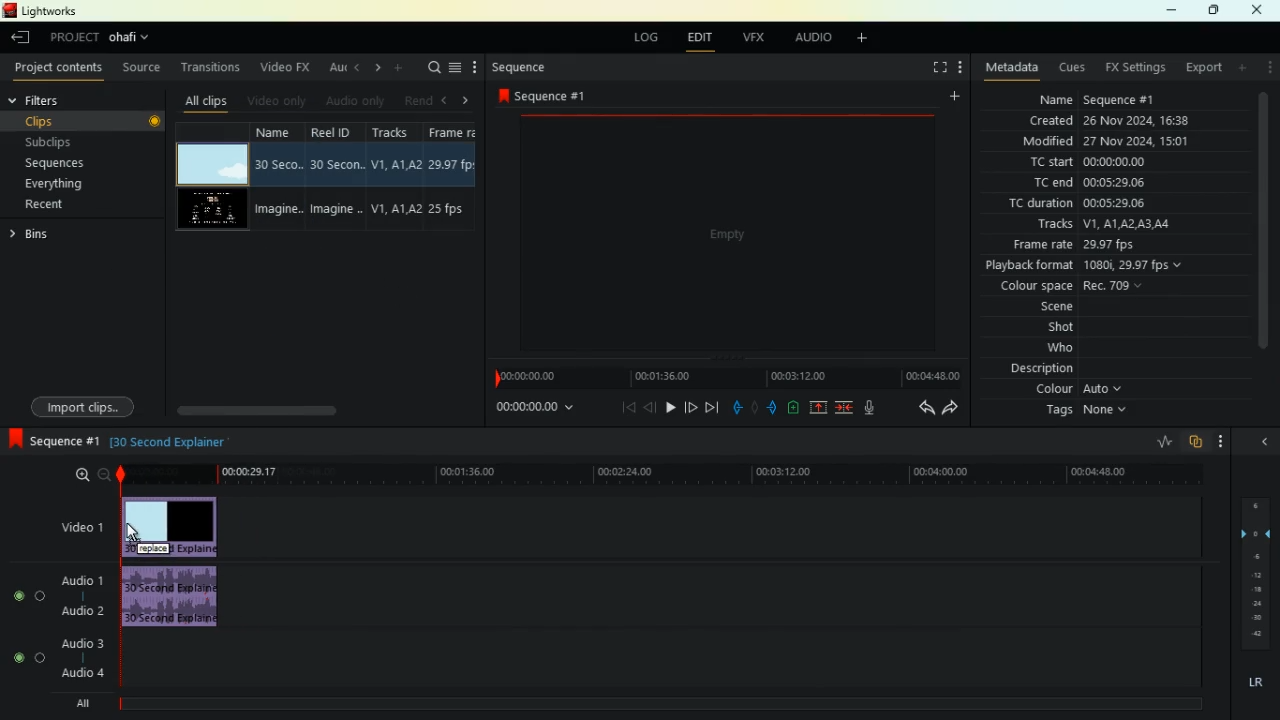  I want to click on reel id, so click(337, 175).